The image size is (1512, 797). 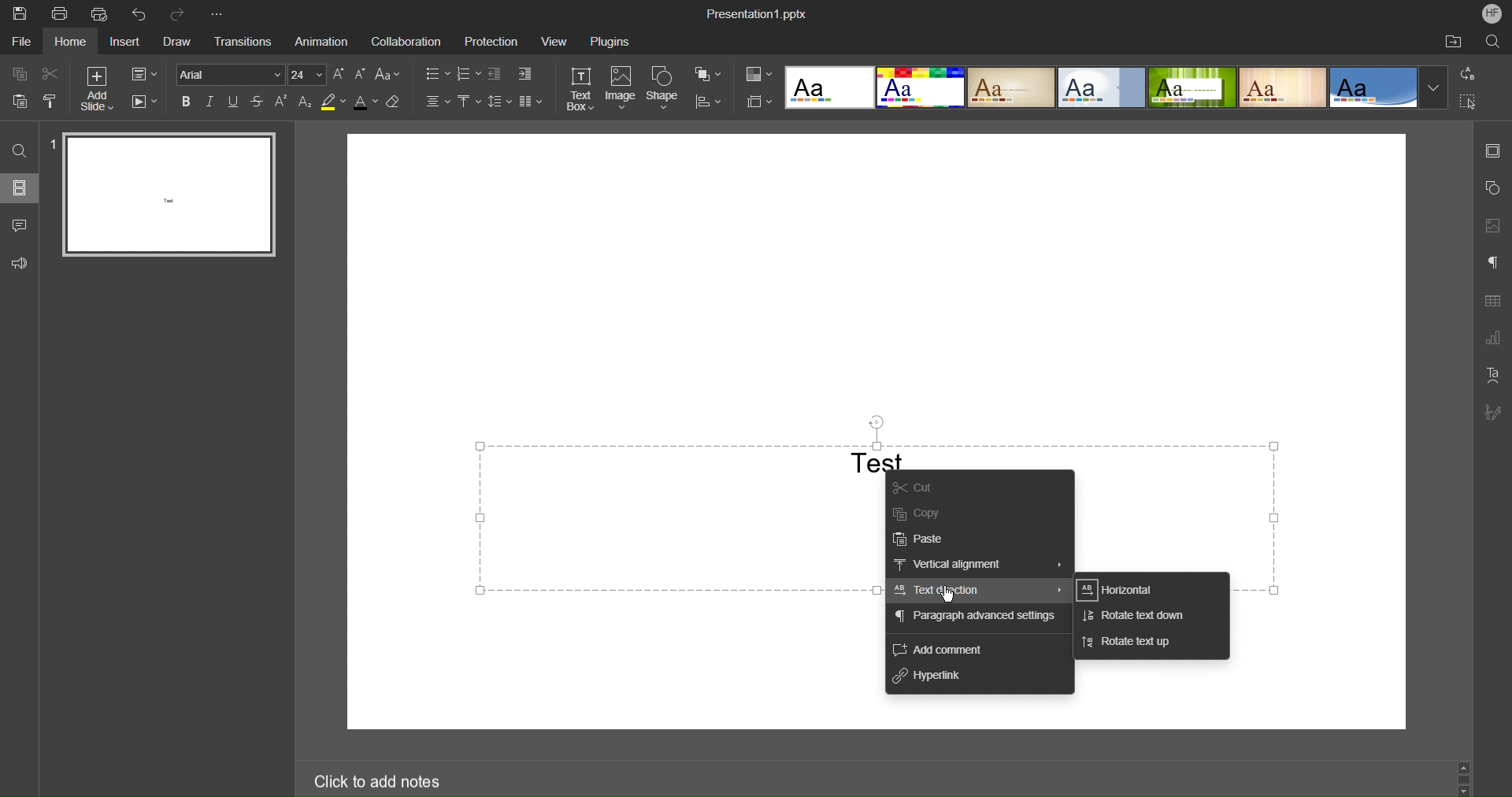 What do you see at coordinates (361, 74) in the screenshot?
I see `Decrease size` at bounding box center [361, 74].